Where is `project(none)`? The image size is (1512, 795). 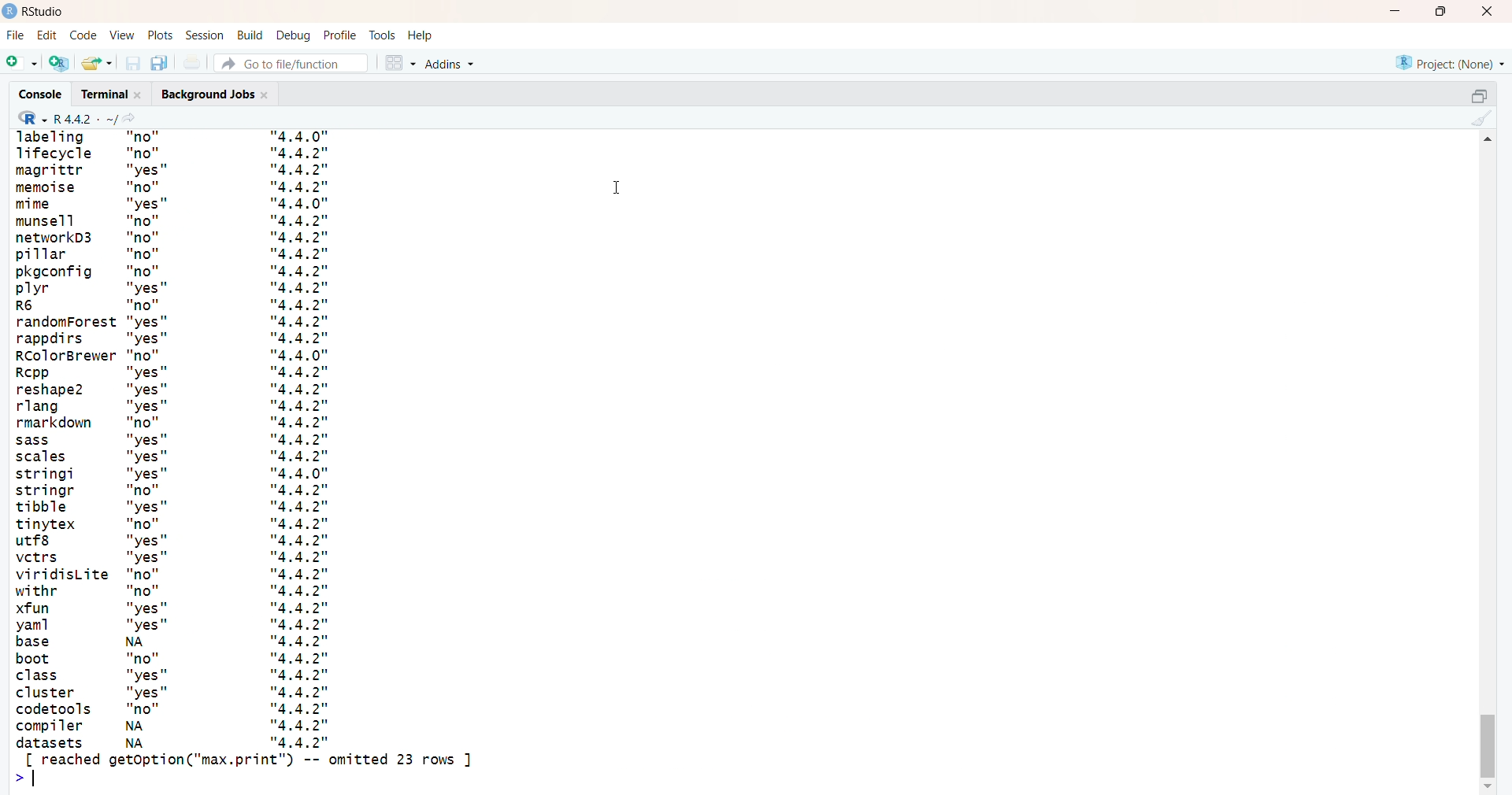 project(none) is located at coordinates (1447, 61).